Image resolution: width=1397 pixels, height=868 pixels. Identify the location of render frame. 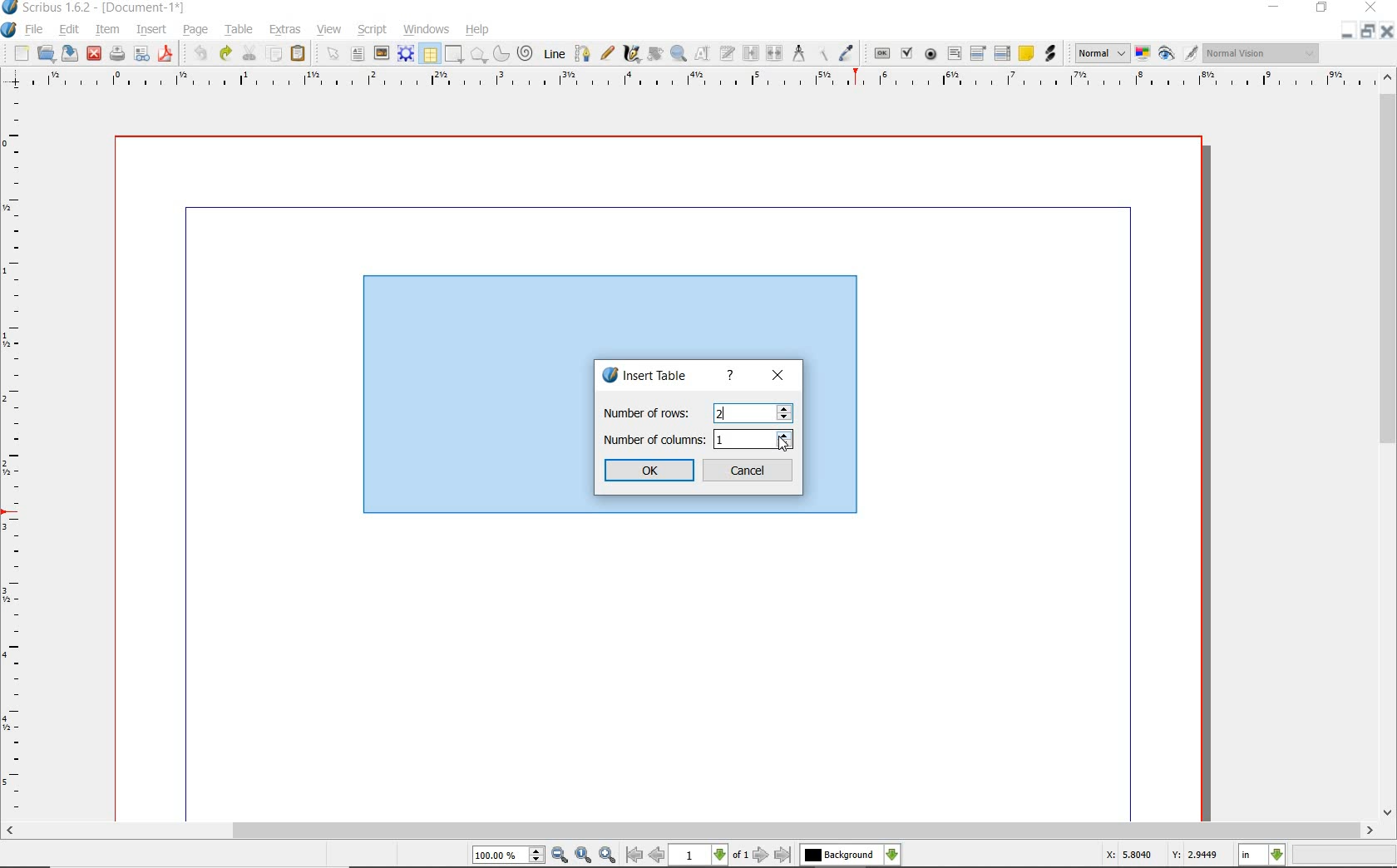
(406, 52).